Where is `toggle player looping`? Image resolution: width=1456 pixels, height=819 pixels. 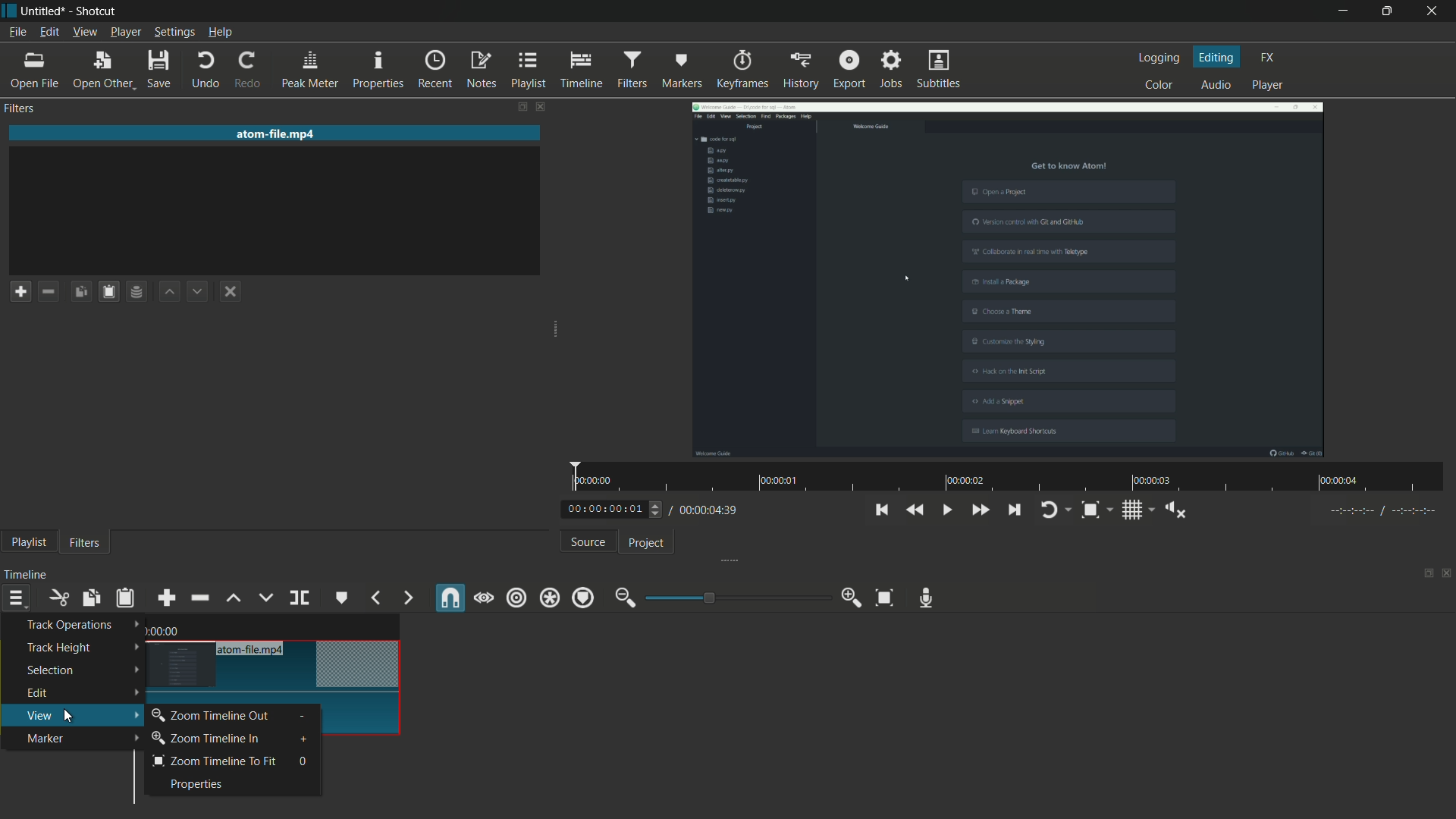 toggle player looping is located at coordinates (1049, 510).